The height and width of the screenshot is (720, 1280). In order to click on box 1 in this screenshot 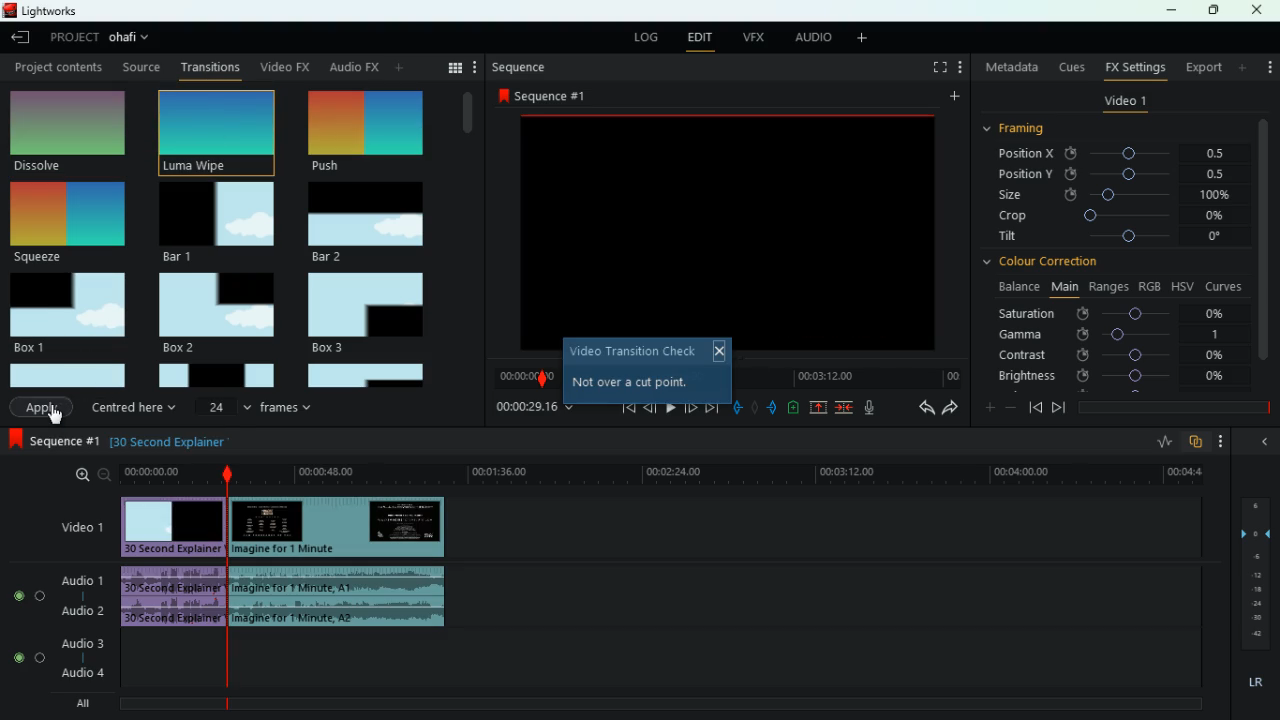, I will do `click(71, 311)`.